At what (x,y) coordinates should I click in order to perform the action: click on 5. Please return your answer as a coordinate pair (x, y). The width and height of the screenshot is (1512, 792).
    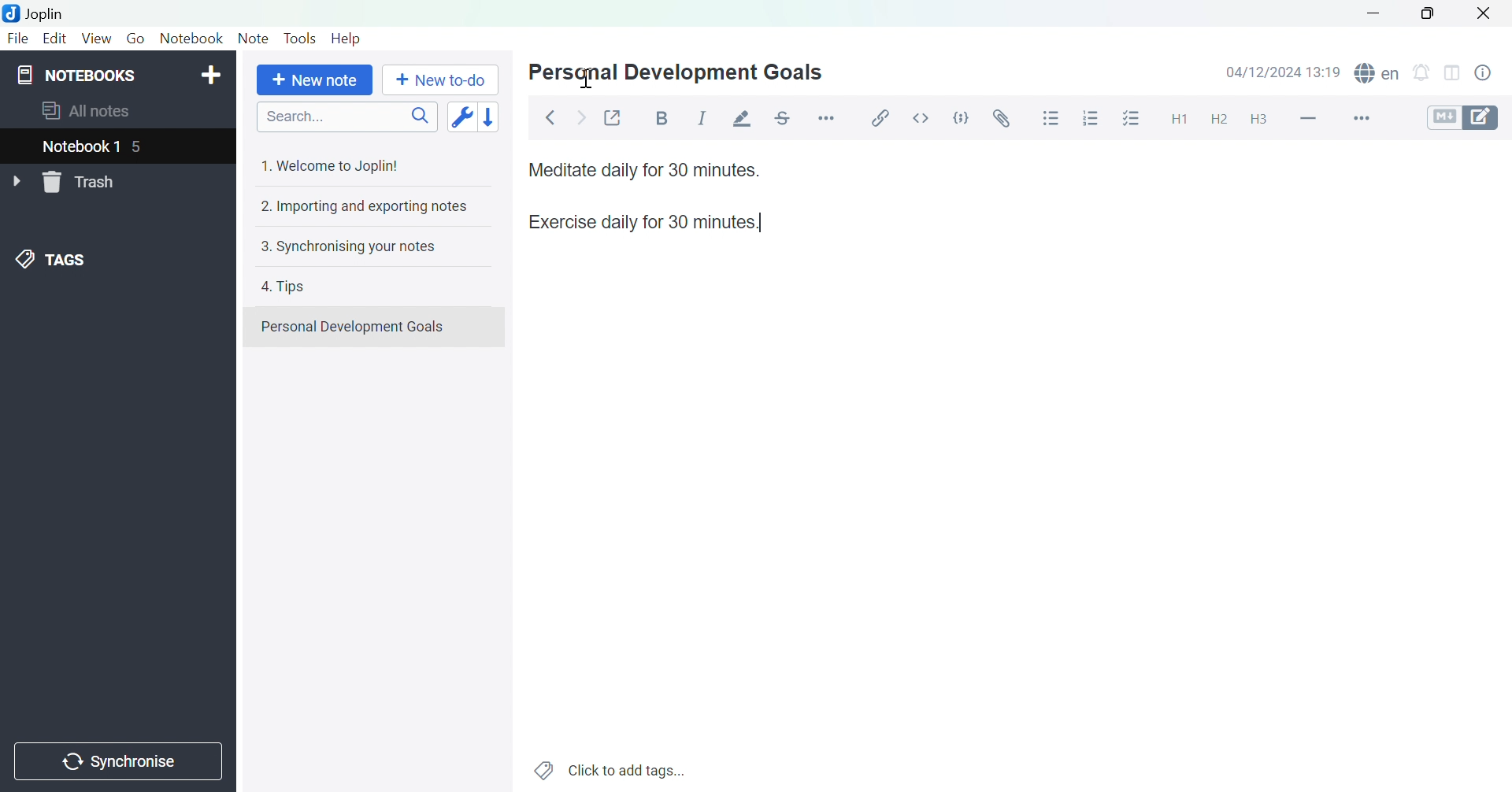
    Looking at the image, I should click on (144, 146).